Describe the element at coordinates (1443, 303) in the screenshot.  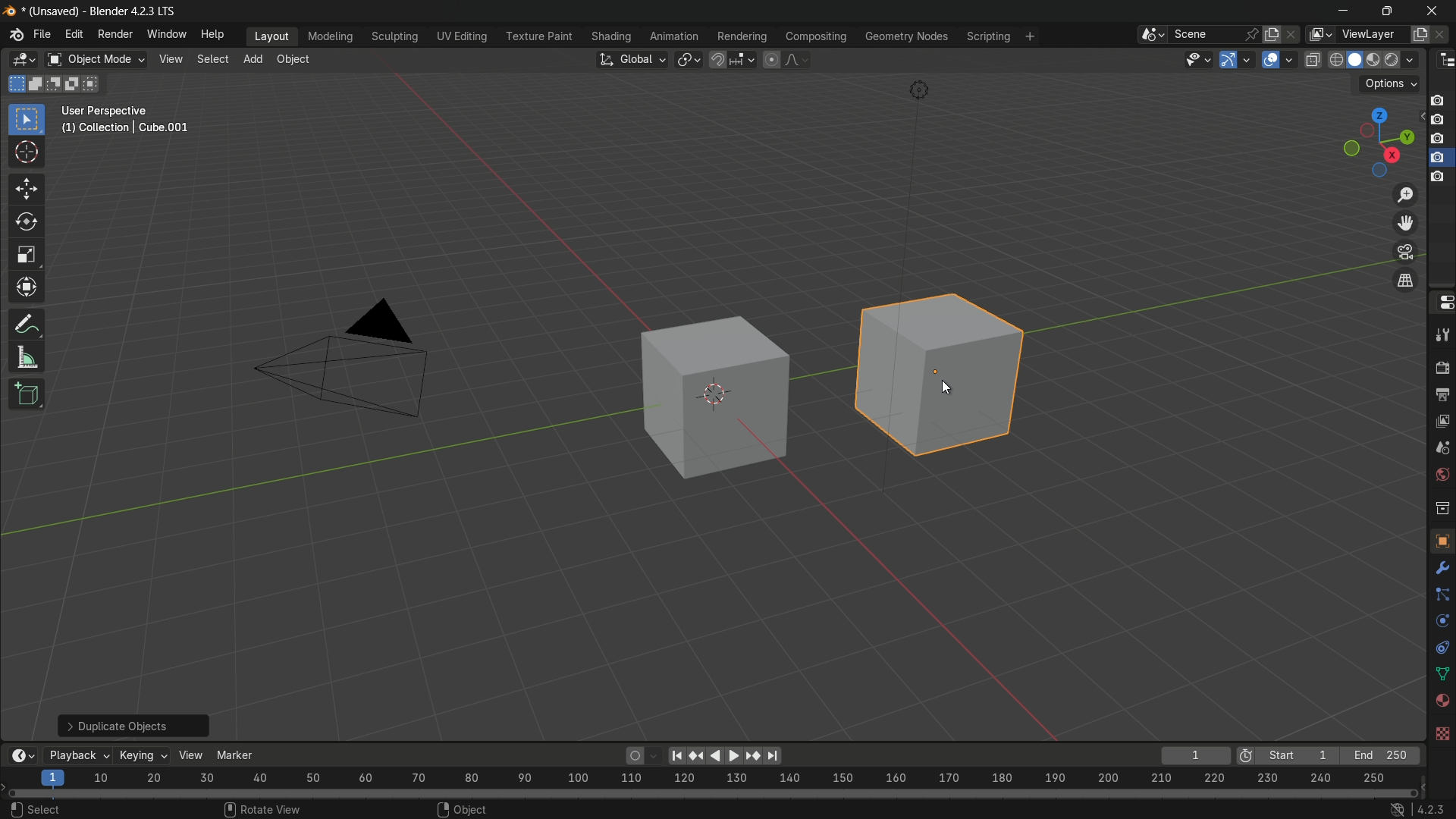
I see `properties` at that location.